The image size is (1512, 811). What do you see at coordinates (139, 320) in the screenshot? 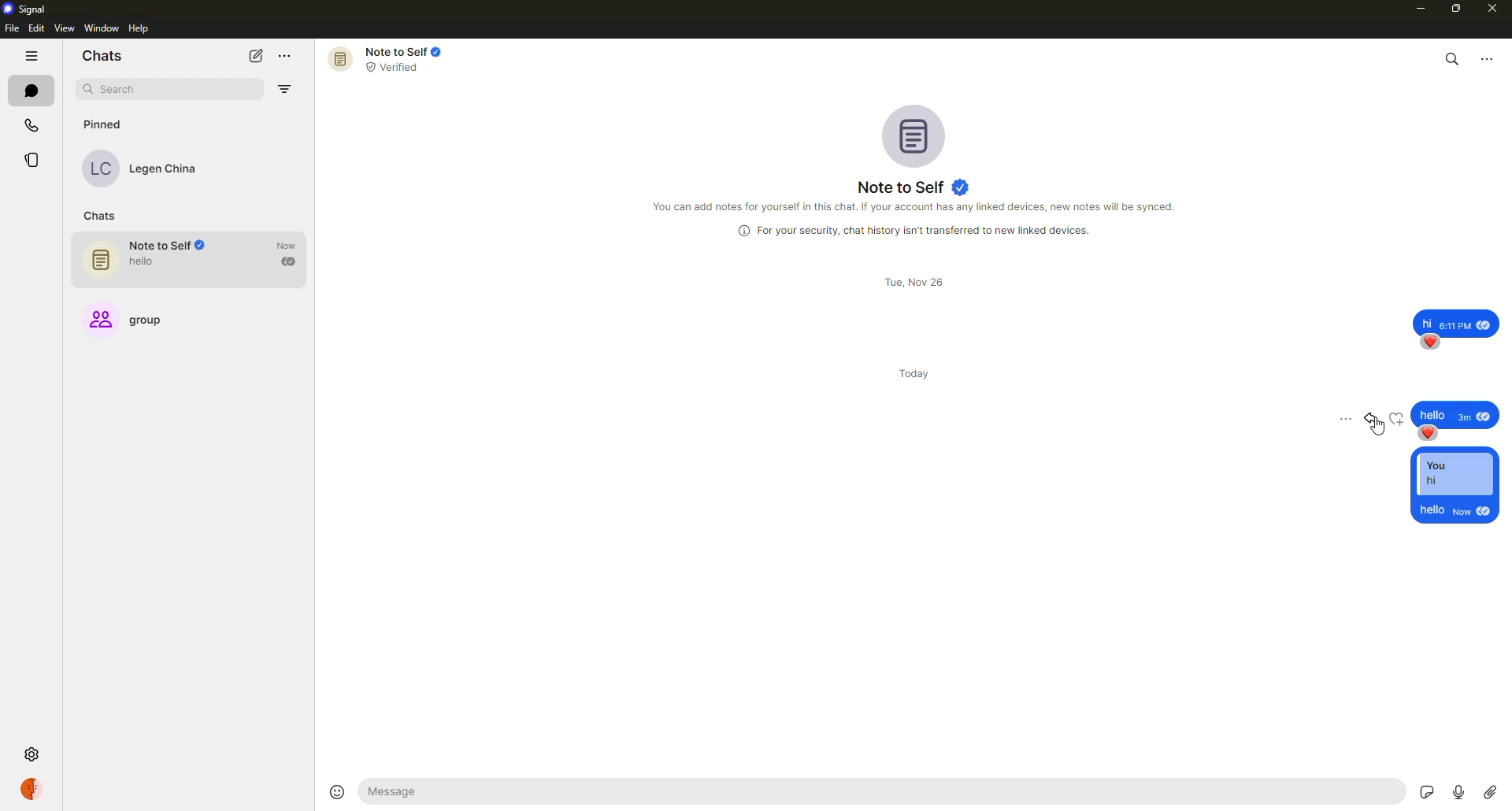
I see `group` at bounding box center [139, 320].